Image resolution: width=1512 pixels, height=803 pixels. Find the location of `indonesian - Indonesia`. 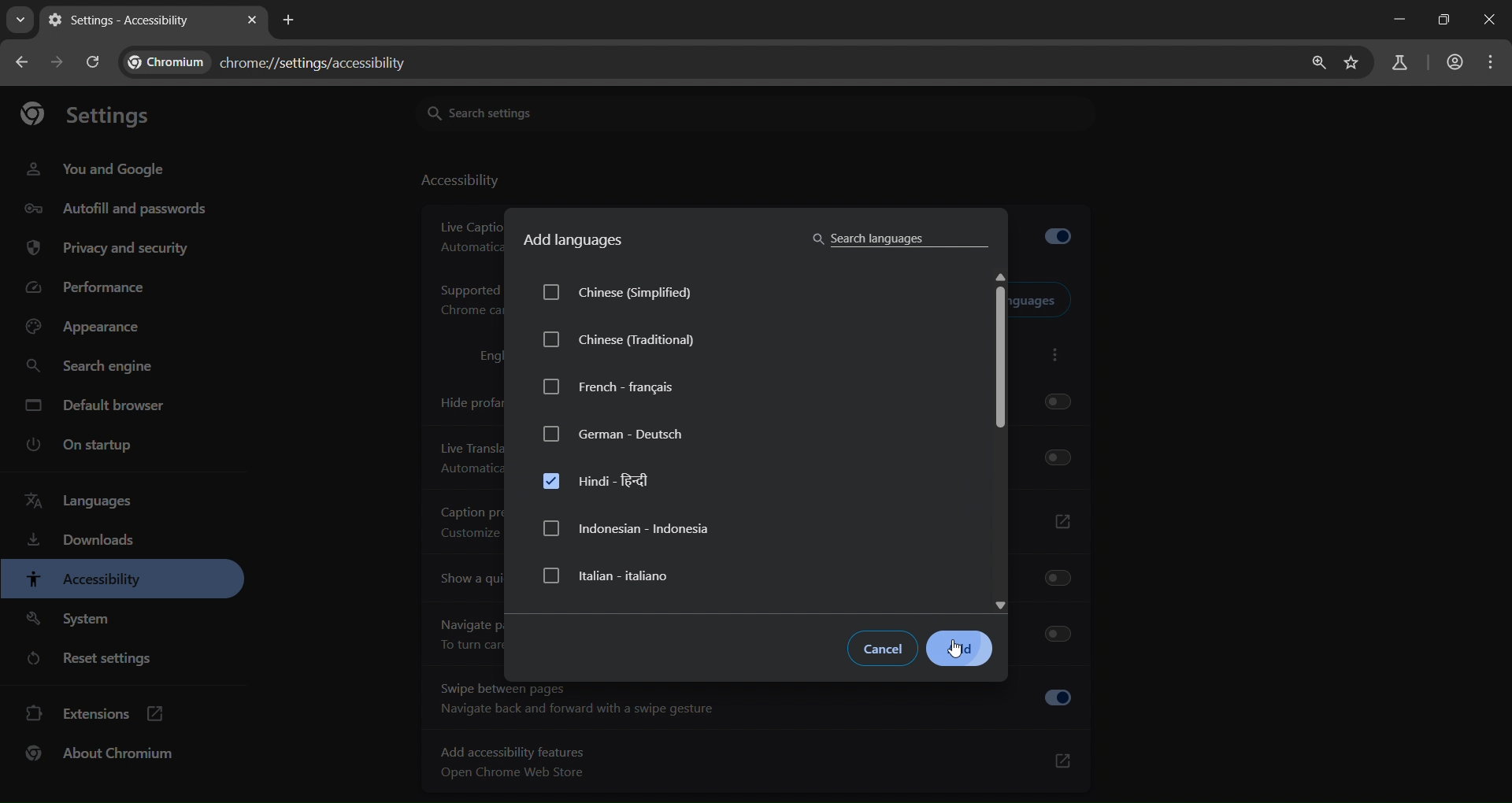

indonesian - Indonesia is located at coordinates (628, 529).